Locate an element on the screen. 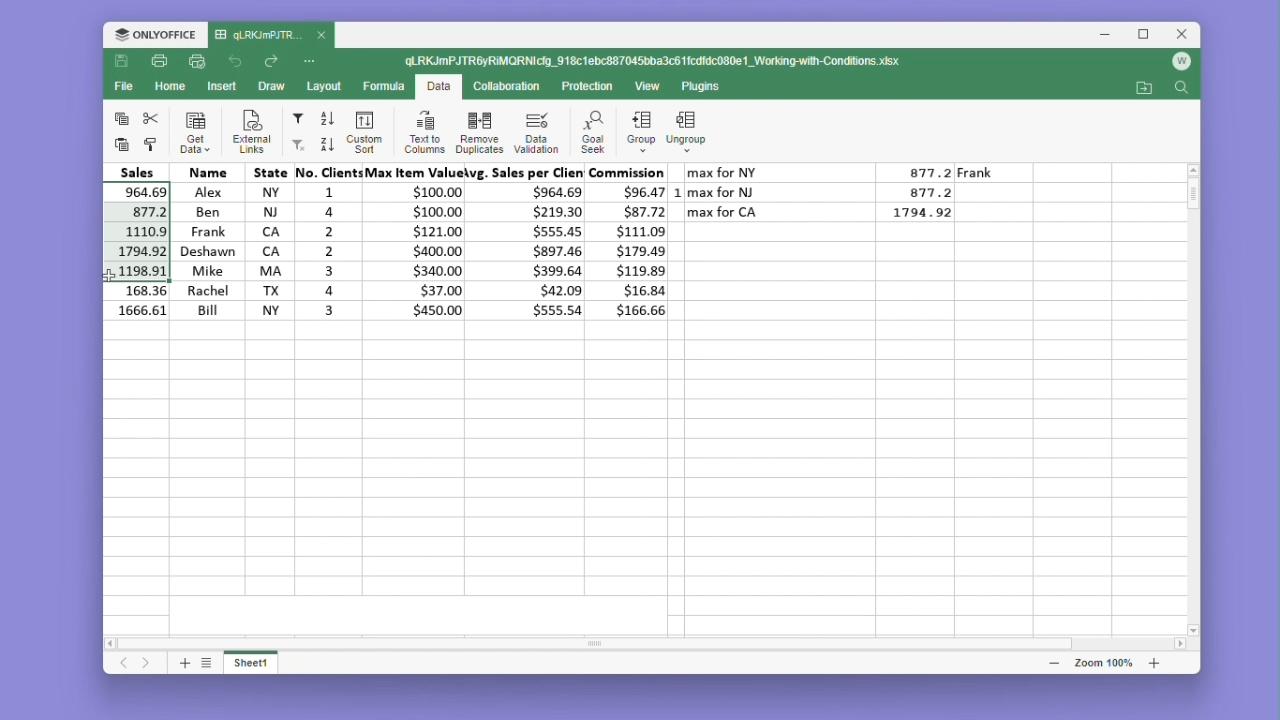 The height and width of the screenshot is (720, 1280). Text to columns is located at coordinates (424, 131).